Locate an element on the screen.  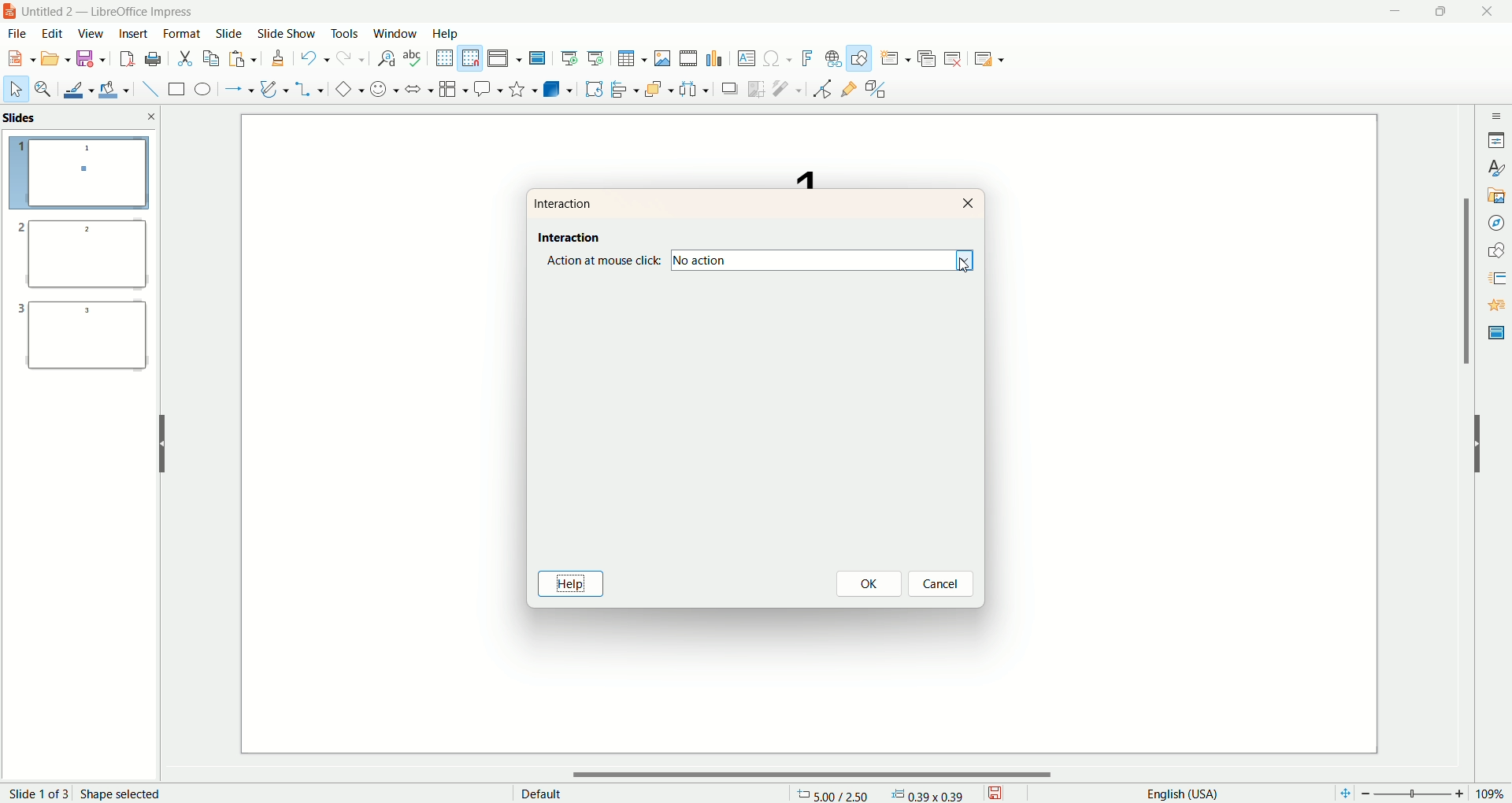
slide 1 is located at coordinates (80, 175).